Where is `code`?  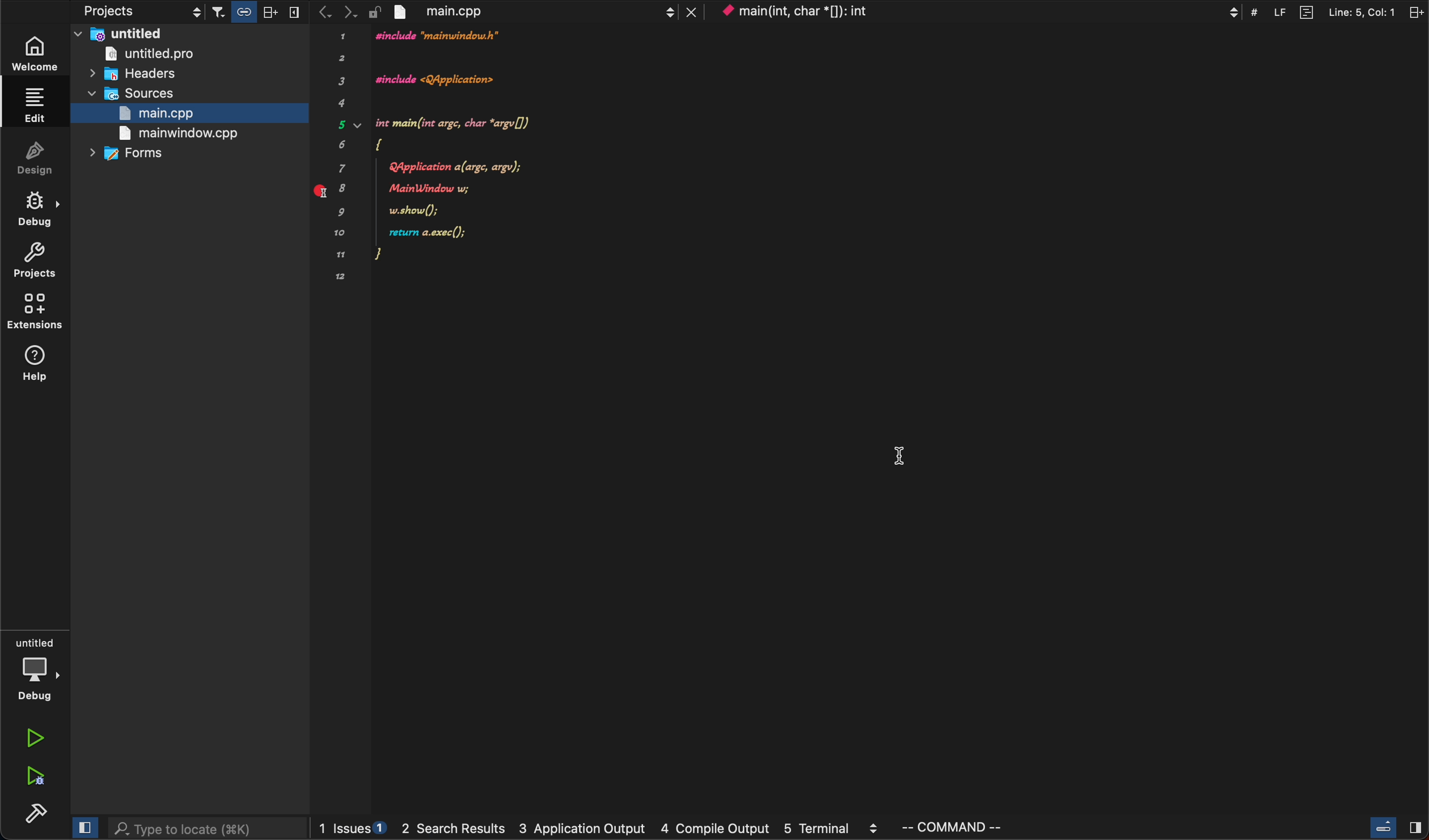
code is located at coordinates (444, 157).